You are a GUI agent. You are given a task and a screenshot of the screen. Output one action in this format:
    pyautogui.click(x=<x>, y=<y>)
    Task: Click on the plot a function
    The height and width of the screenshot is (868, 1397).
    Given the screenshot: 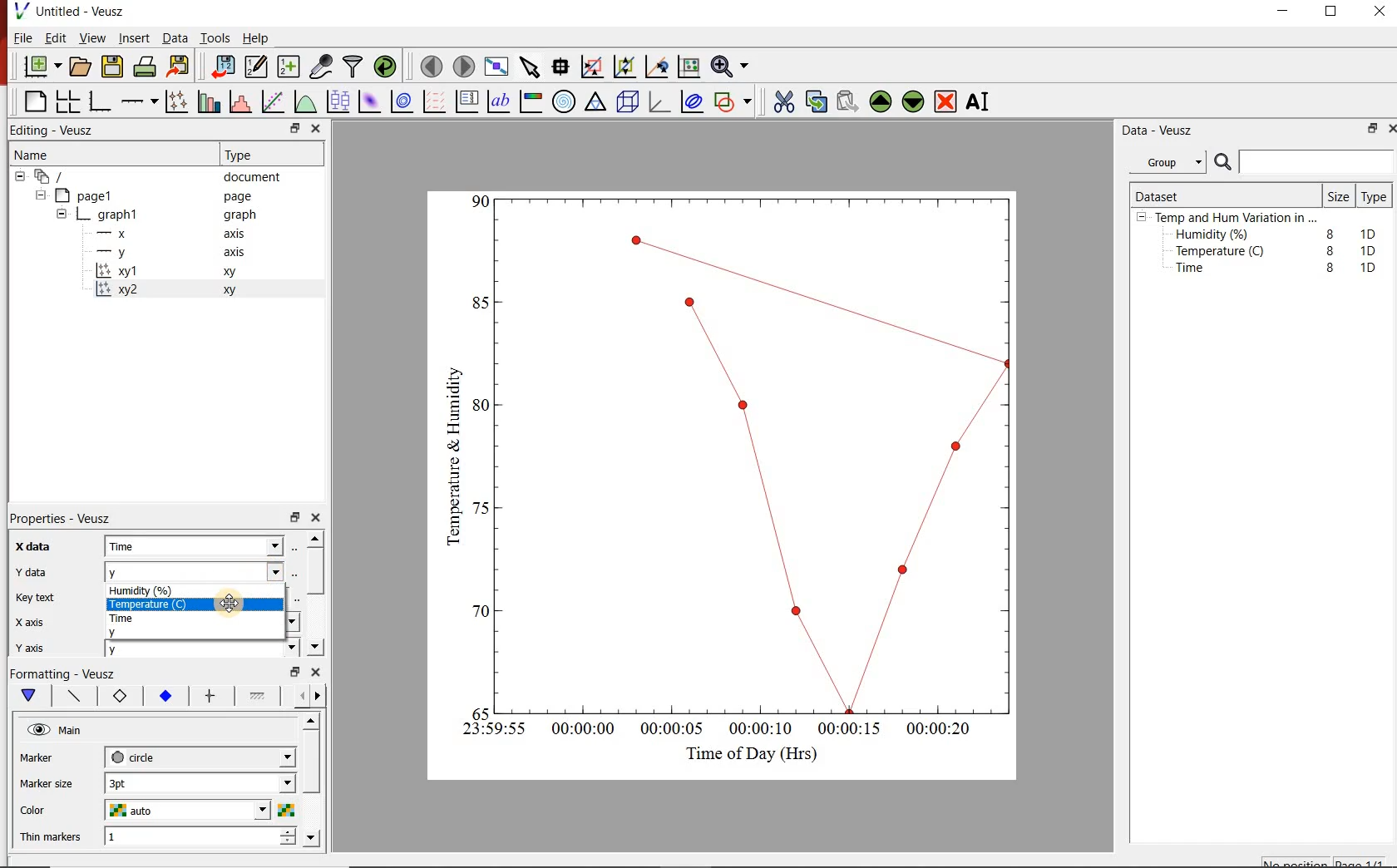 What is the action you would take?
    pyautogui.click(x=307, y=104)
    